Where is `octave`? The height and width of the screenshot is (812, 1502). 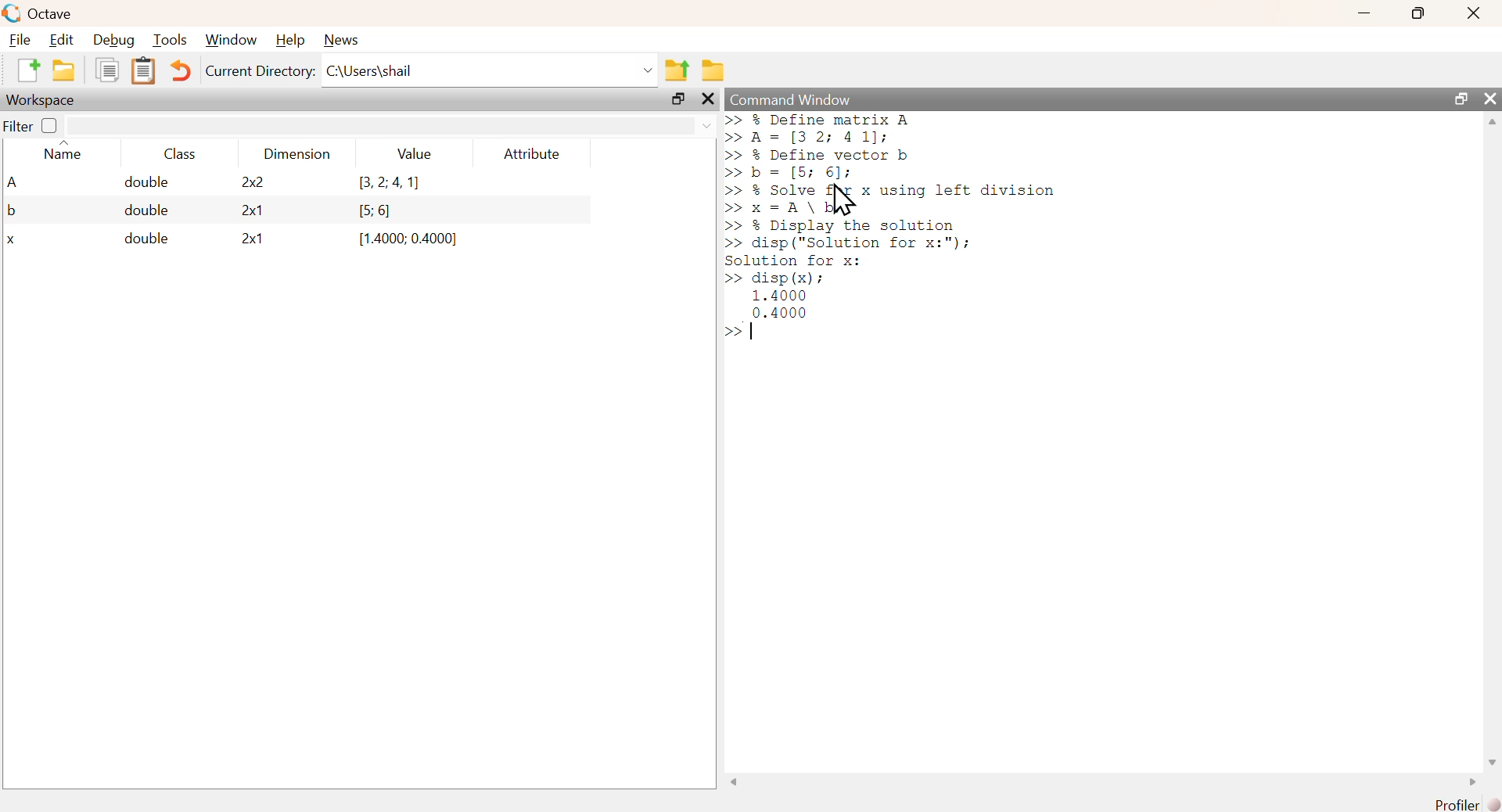 octave is located at coordinates (40, 13).